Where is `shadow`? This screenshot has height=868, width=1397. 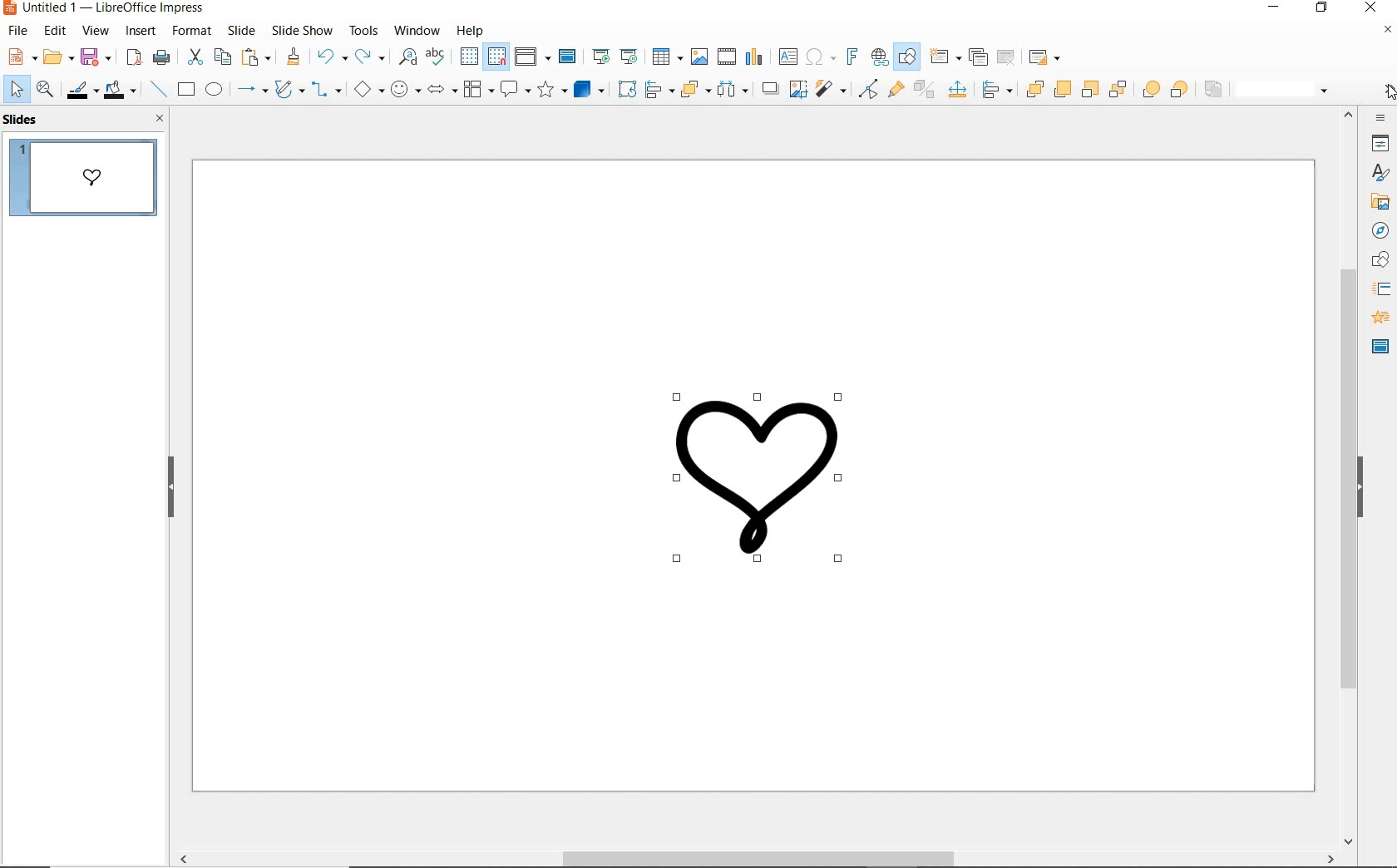 shadow is located at coordinates (769, 86).